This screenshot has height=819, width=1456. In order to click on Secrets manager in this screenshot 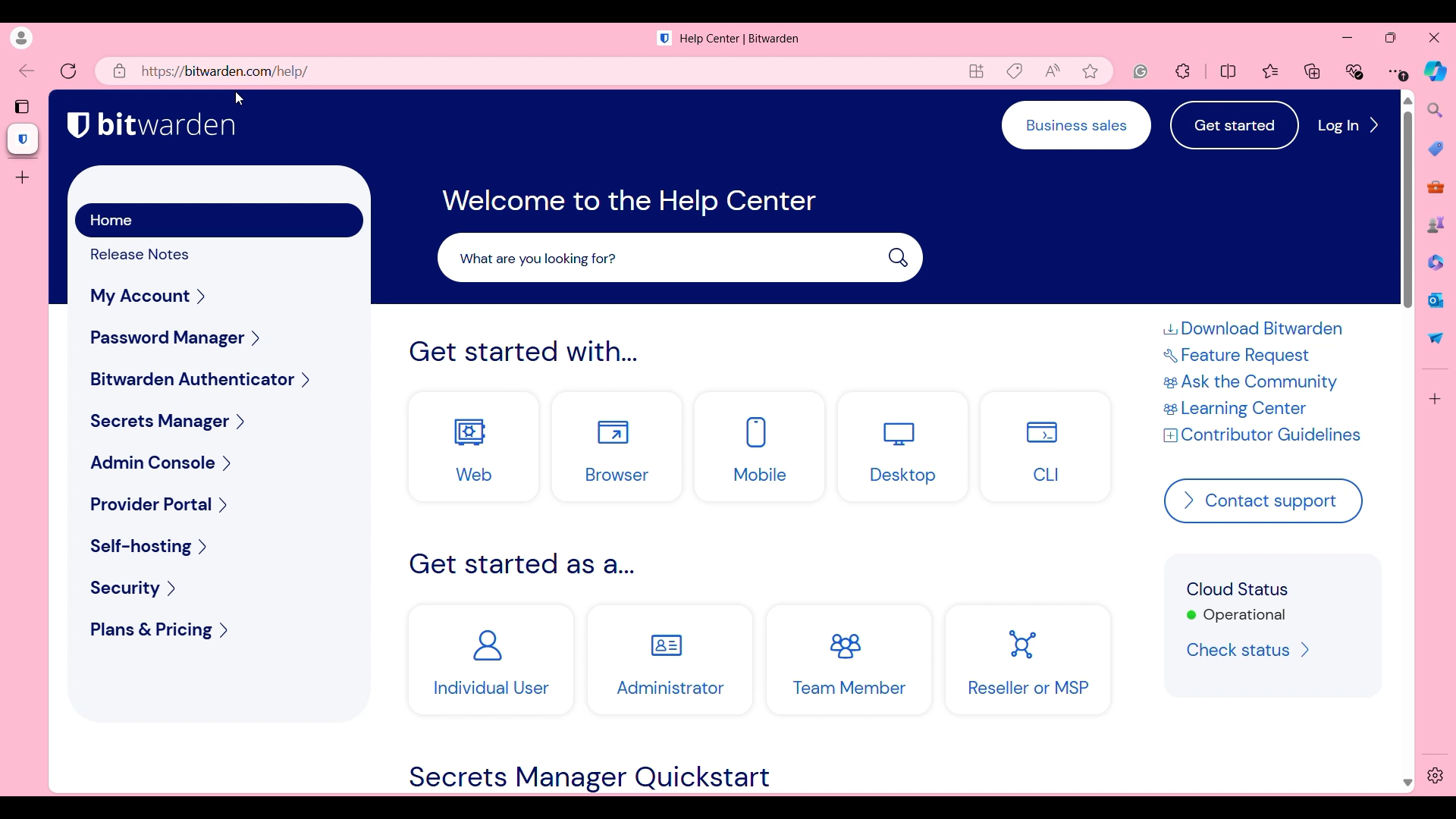, I will do `click(218, 421)`.